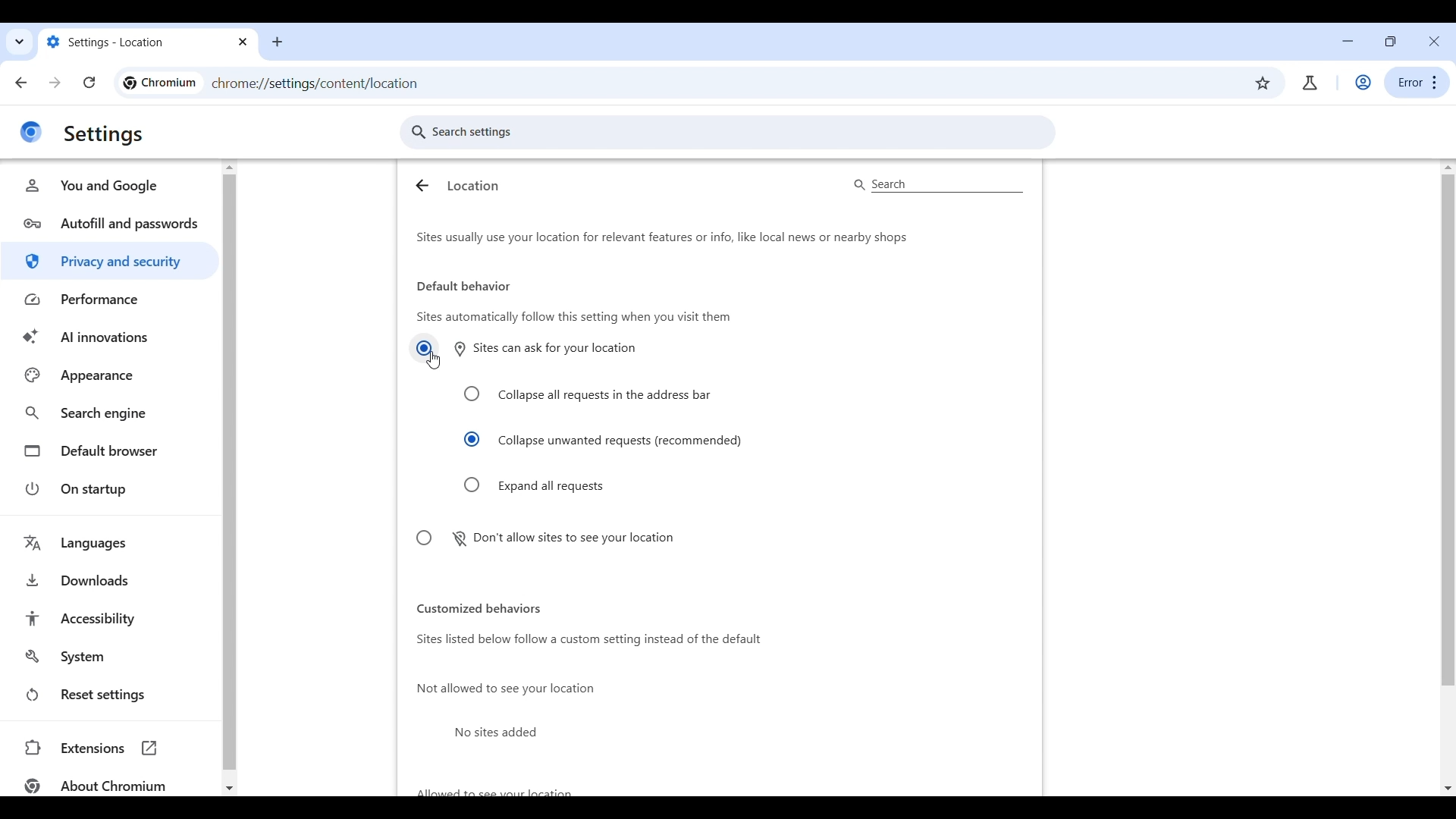  Describe the element at coordinates (20, 42) in the screenshot. I see `Quick search through tabs` at that location.